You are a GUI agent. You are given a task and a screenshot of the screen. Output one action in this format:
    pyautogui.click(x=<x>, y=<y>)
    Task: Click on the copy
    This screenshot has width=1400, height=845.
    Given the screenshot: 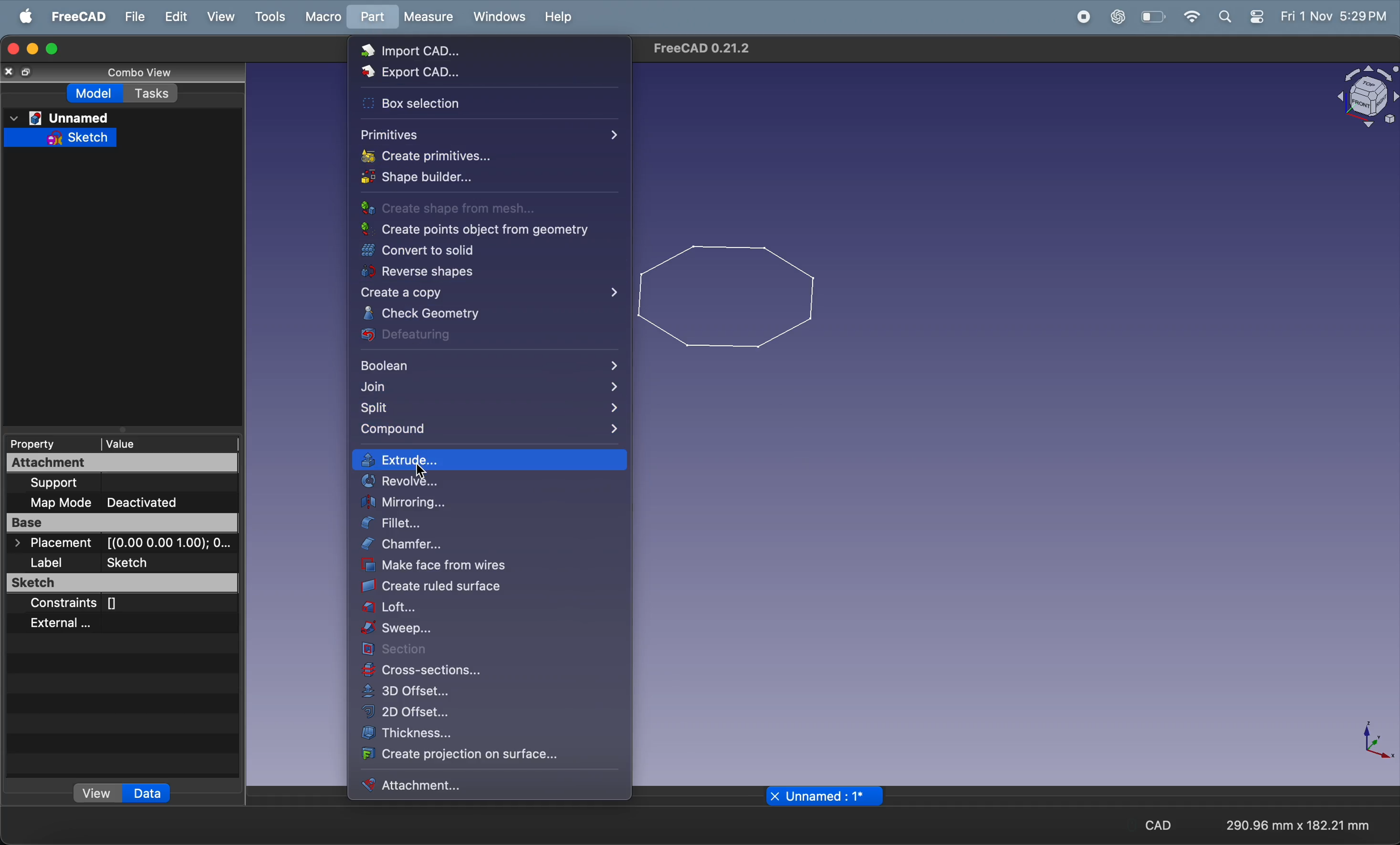 What is the action you would take?
    pyautogui.click(x=19, y=73)
    